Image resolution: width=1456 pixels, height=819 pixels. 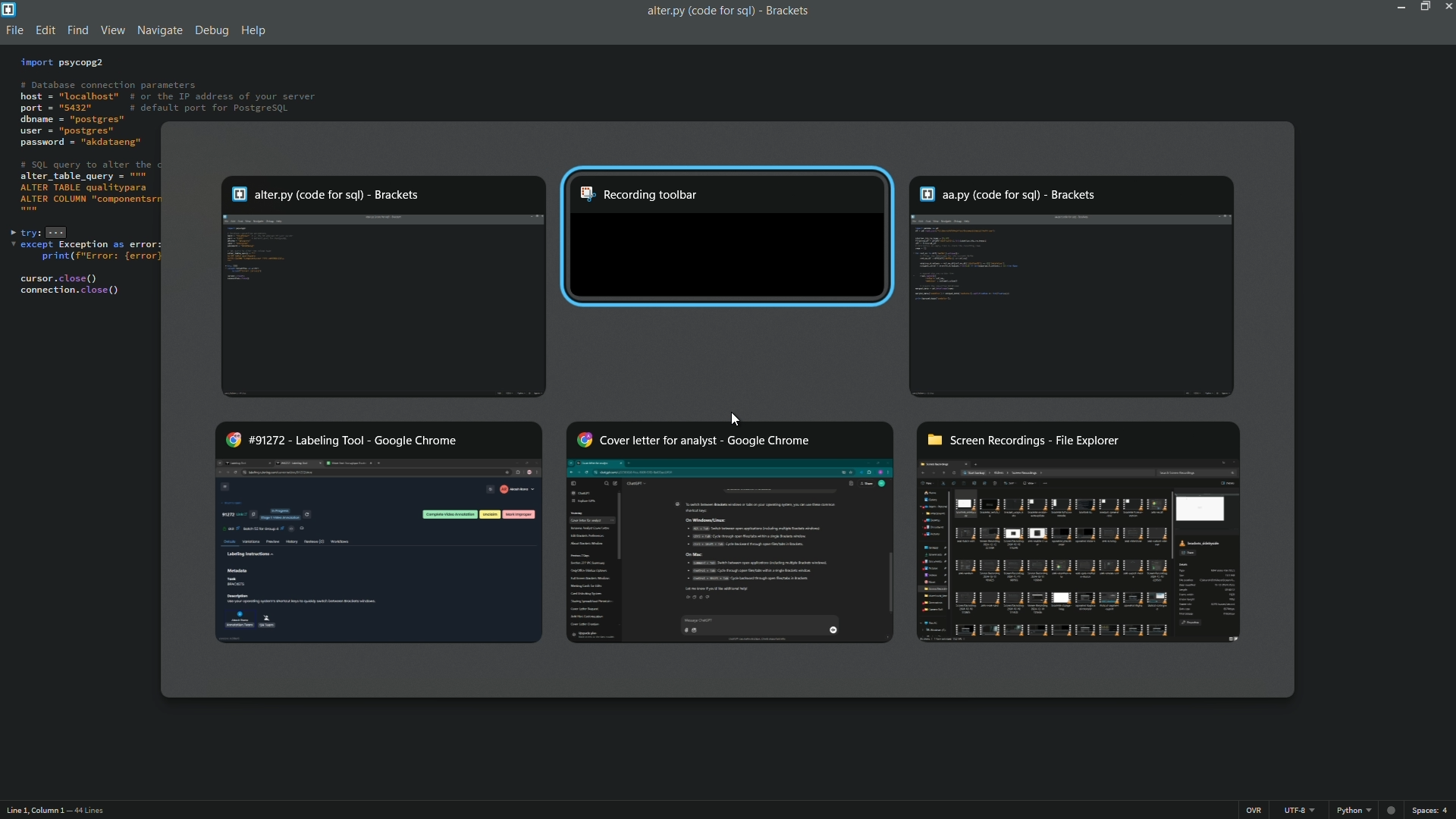 What do you see at coordinates (729, 531) in the screenshot?
I see `Cover letter for analyst - Google Chrome` at bounding box center [729, 531].